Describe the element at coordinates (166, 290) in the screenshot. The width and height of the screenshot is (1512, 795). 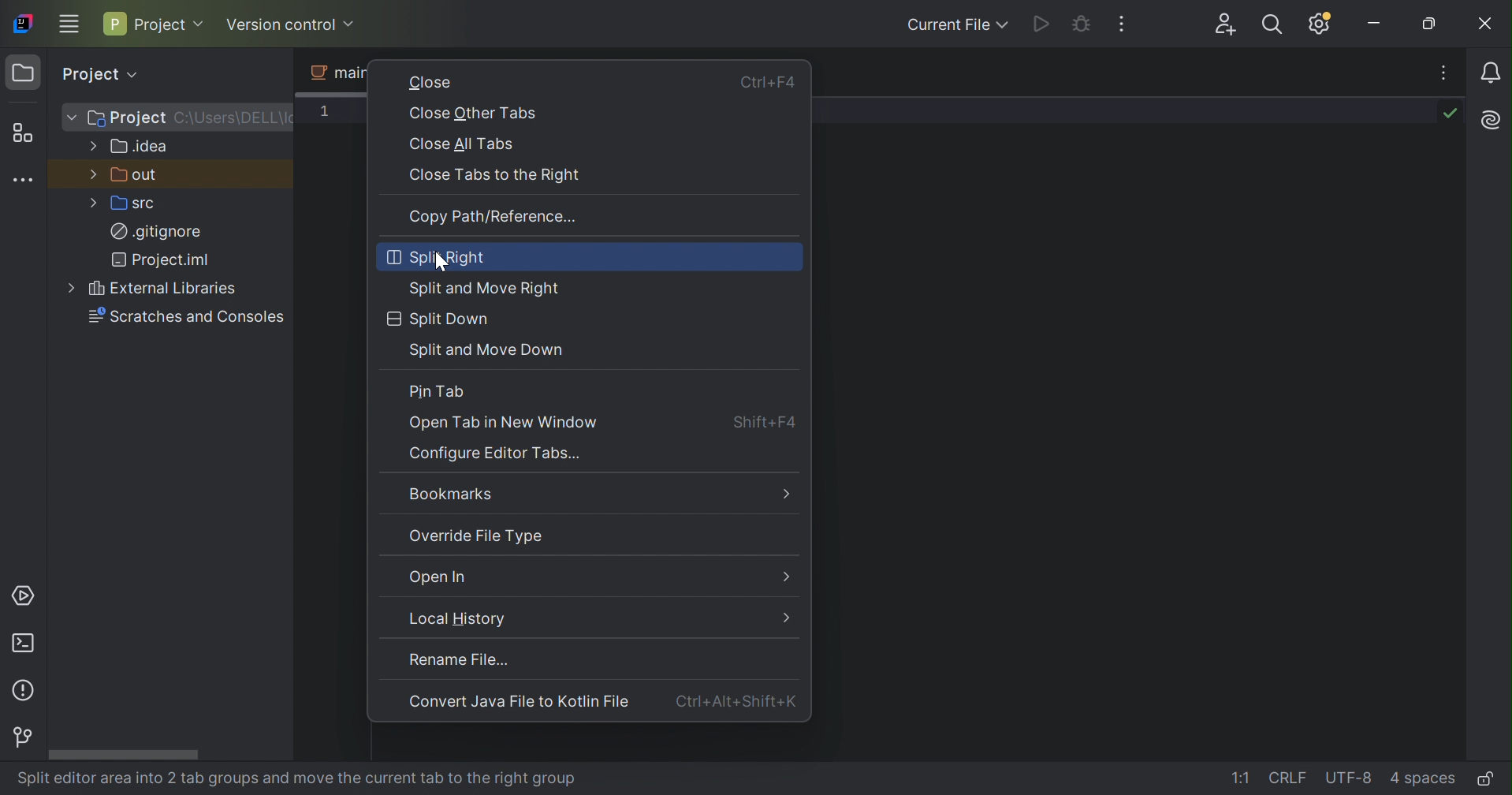
I see `External Libraries` at that location.